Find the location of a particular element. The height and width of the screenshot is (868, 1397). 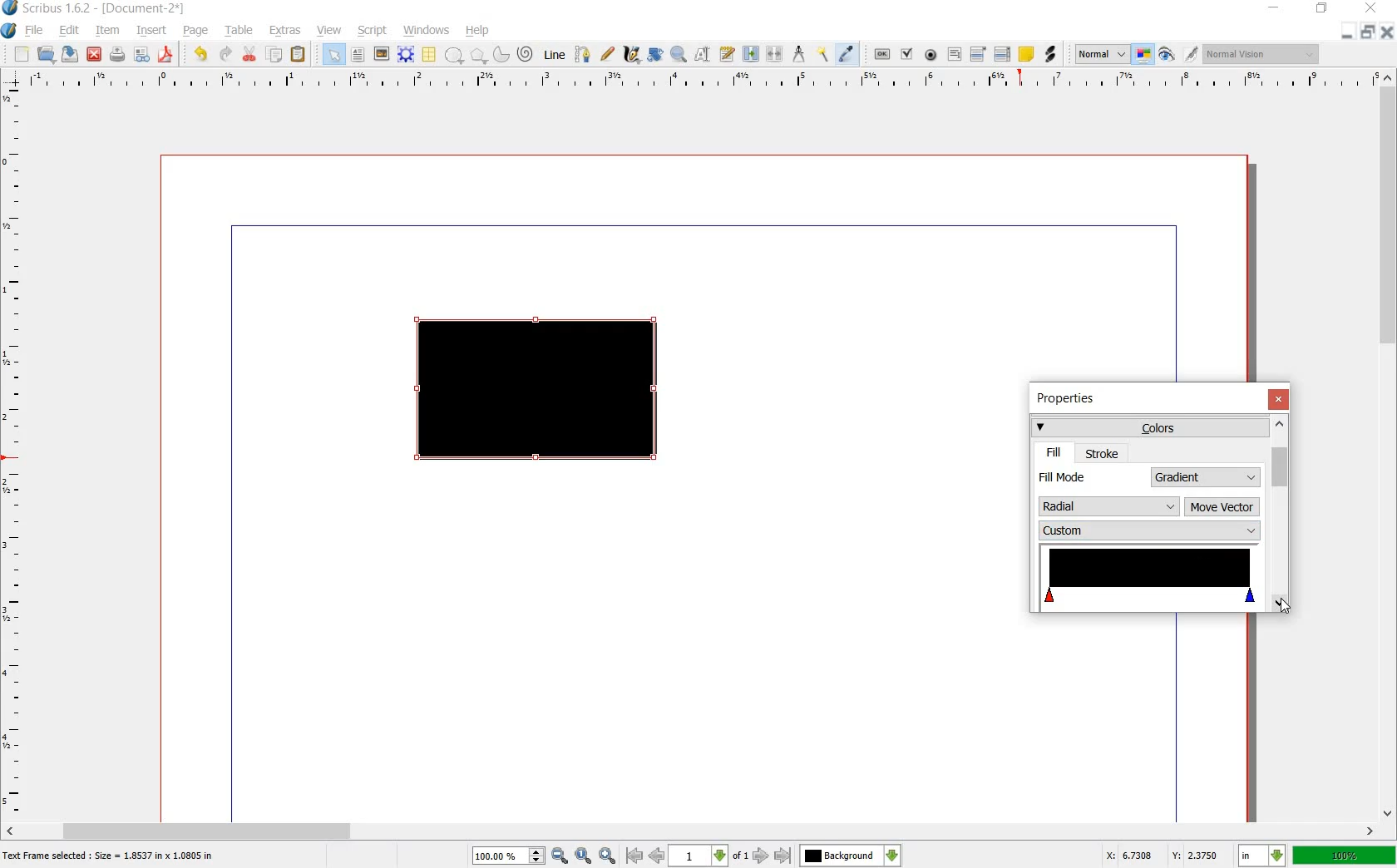

of 1 is located at coordinates (739, 857).